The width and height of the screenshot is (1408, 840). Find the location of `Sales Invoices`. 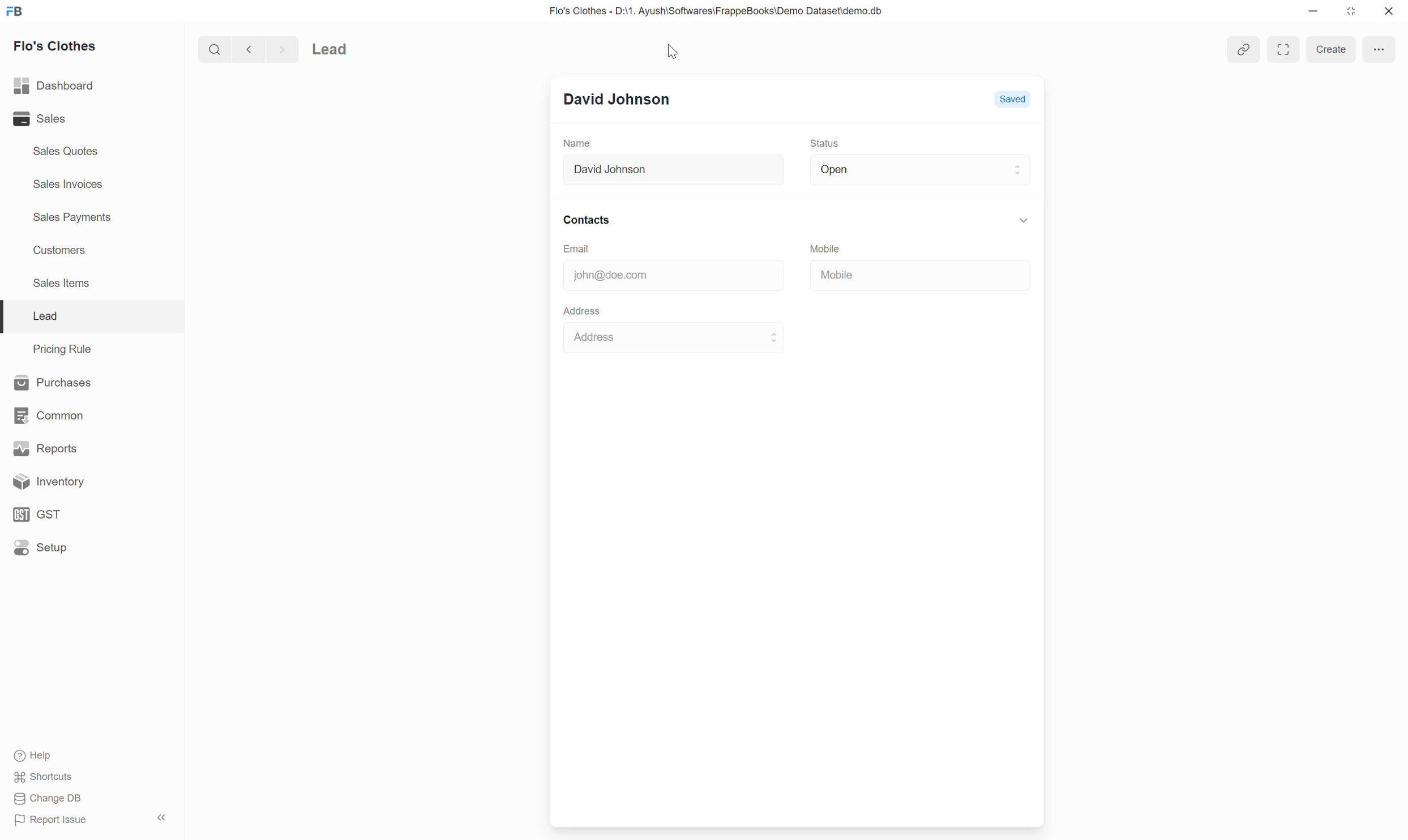

Sales Invoices is located at coordinates (71, 184).